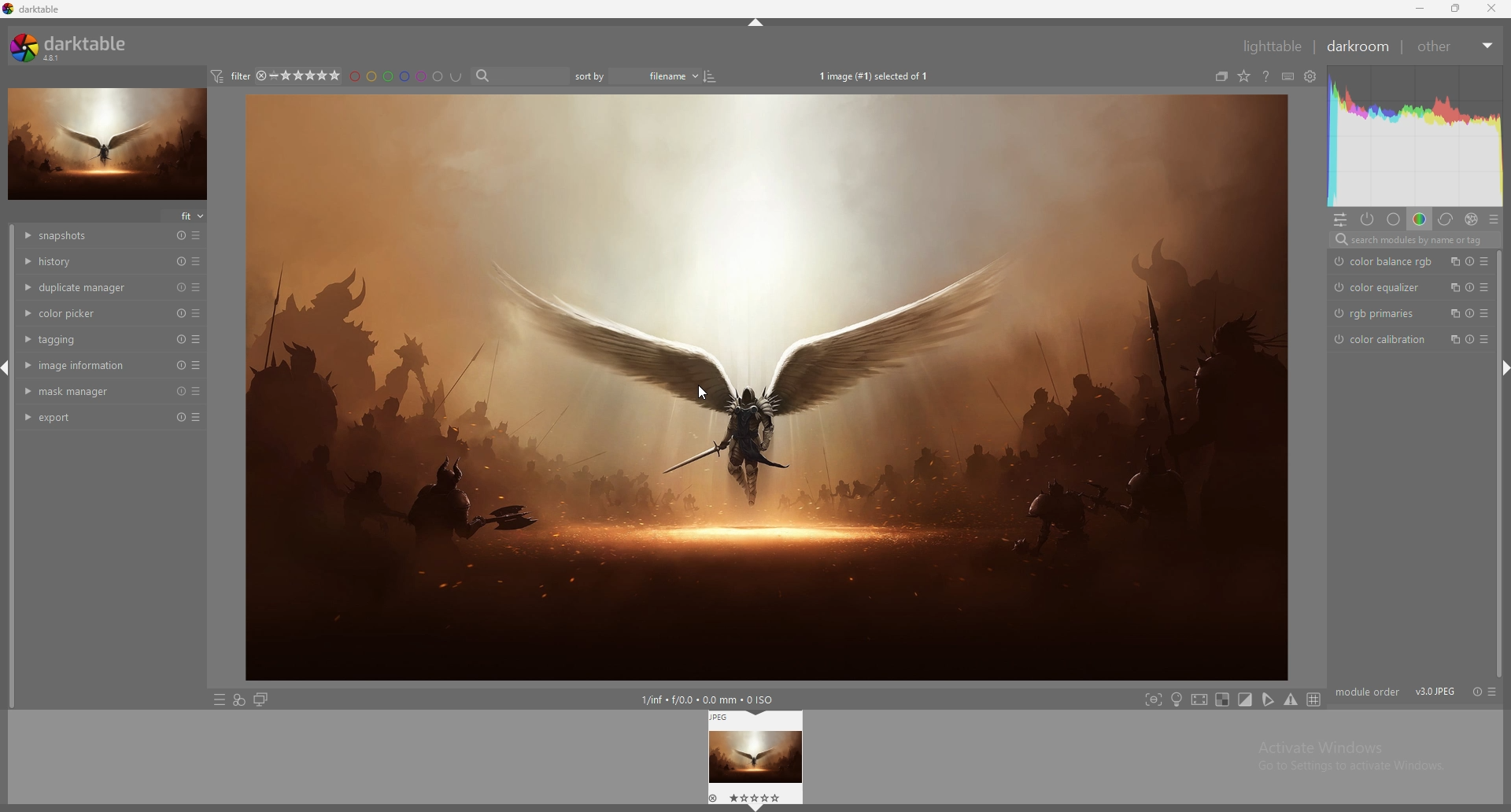 The image size is (1511, 812). What do you see at coordinates (181, 287) in the screenshot?
I see `reset` at bounding box center [181, 287].